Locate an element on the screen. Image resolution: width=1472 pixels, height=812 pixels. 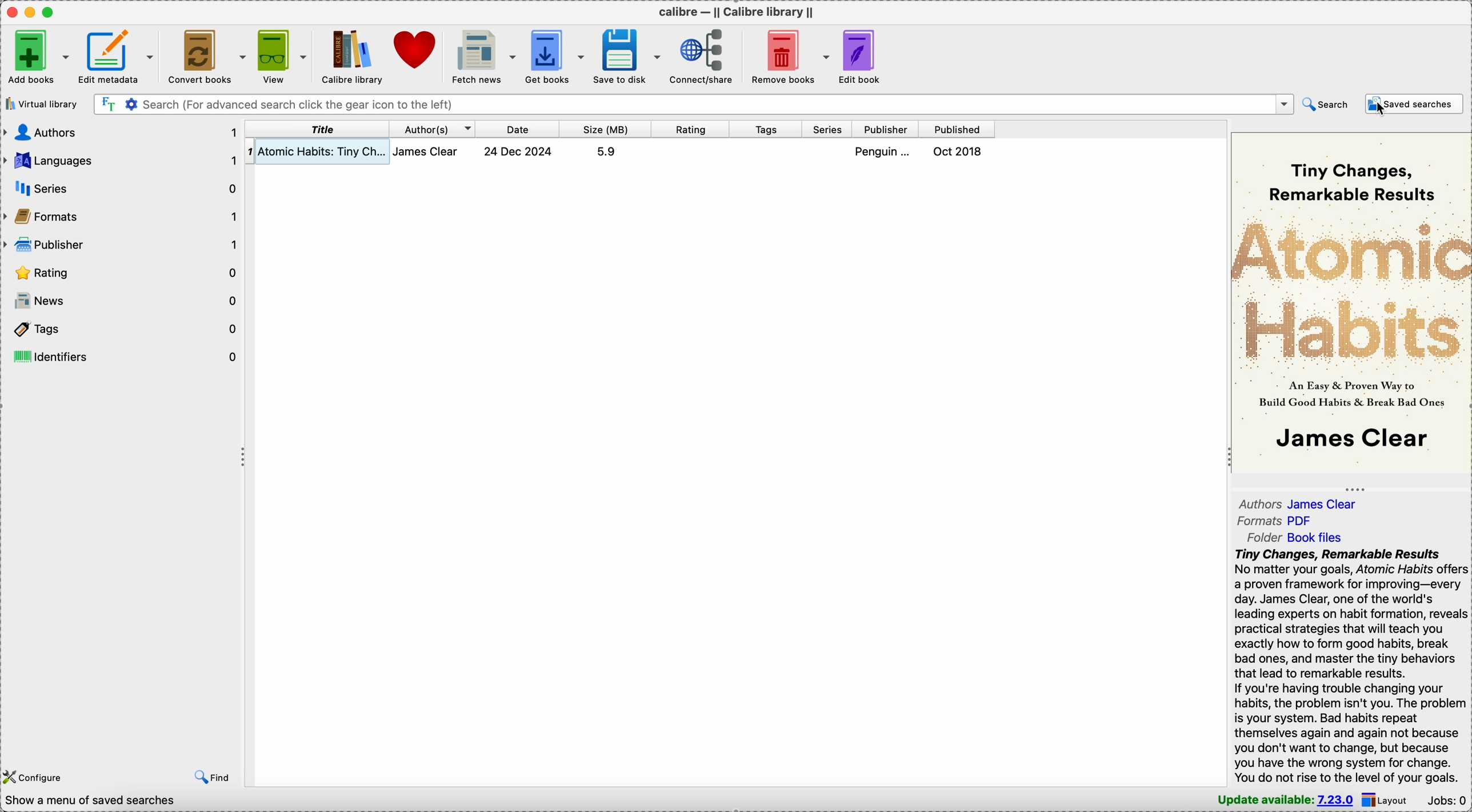
find is located at coordinates (213, 773).